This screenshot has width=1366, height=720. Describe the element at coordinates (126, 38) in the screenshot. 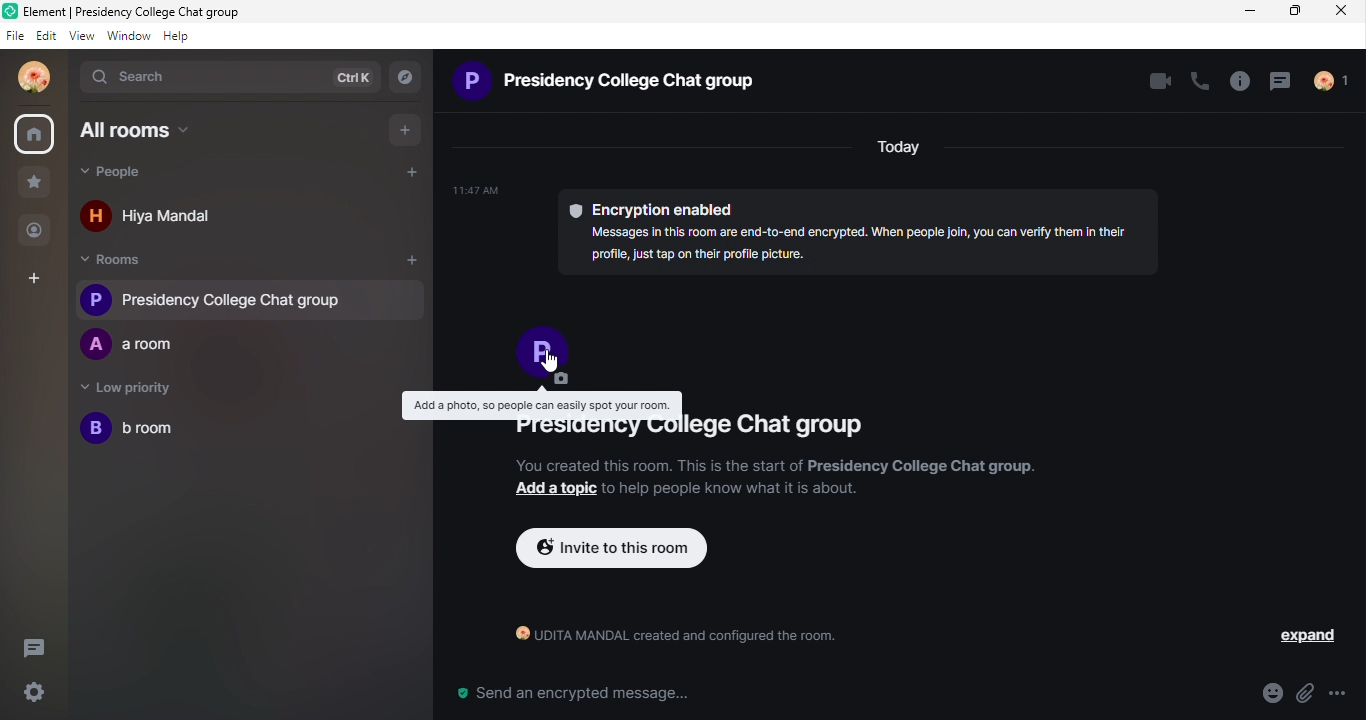

I see `window` at that location.